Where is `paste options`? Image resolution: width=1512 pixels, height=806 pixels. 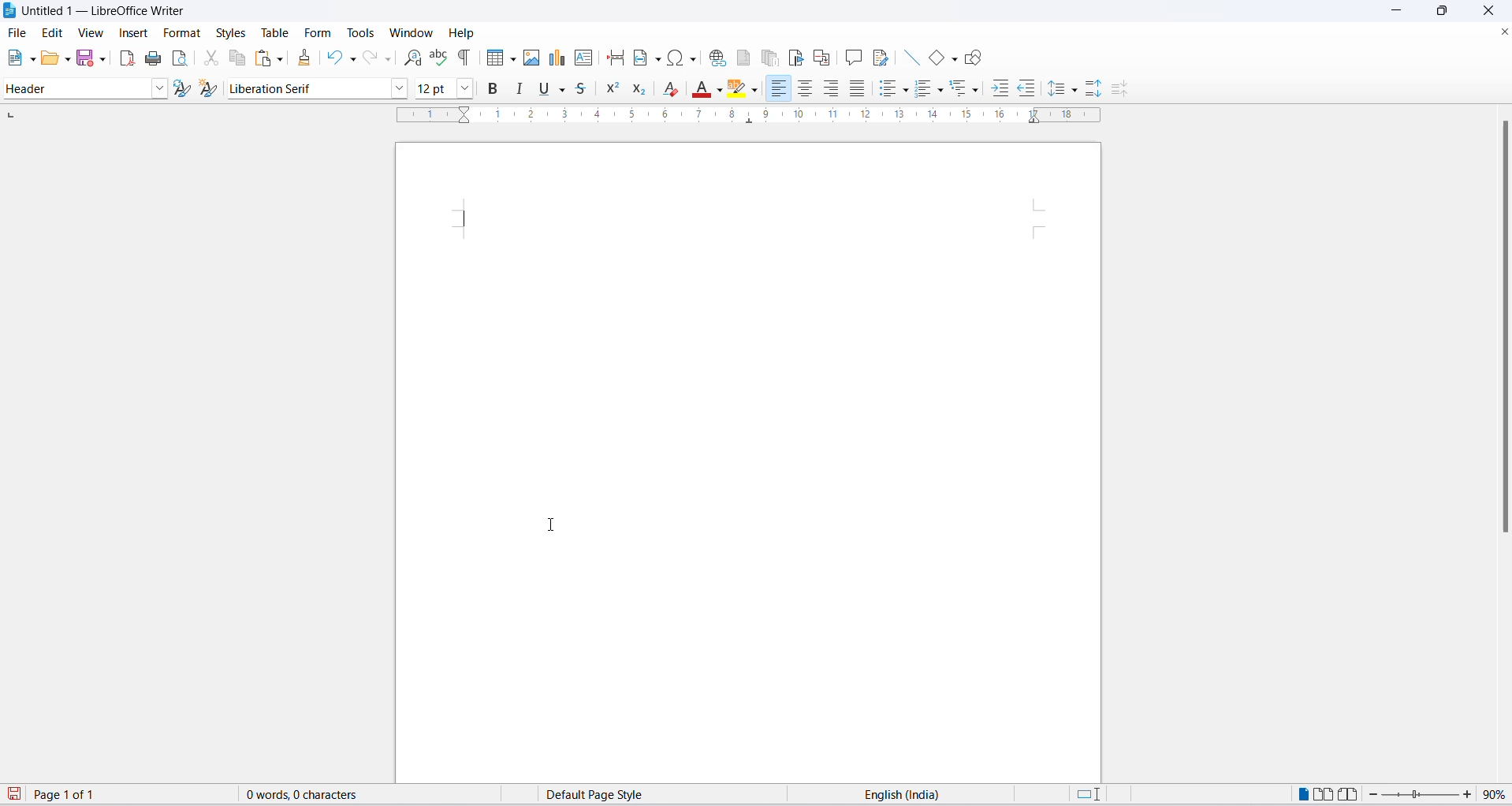 paste options is located at coordinates (281, 58).